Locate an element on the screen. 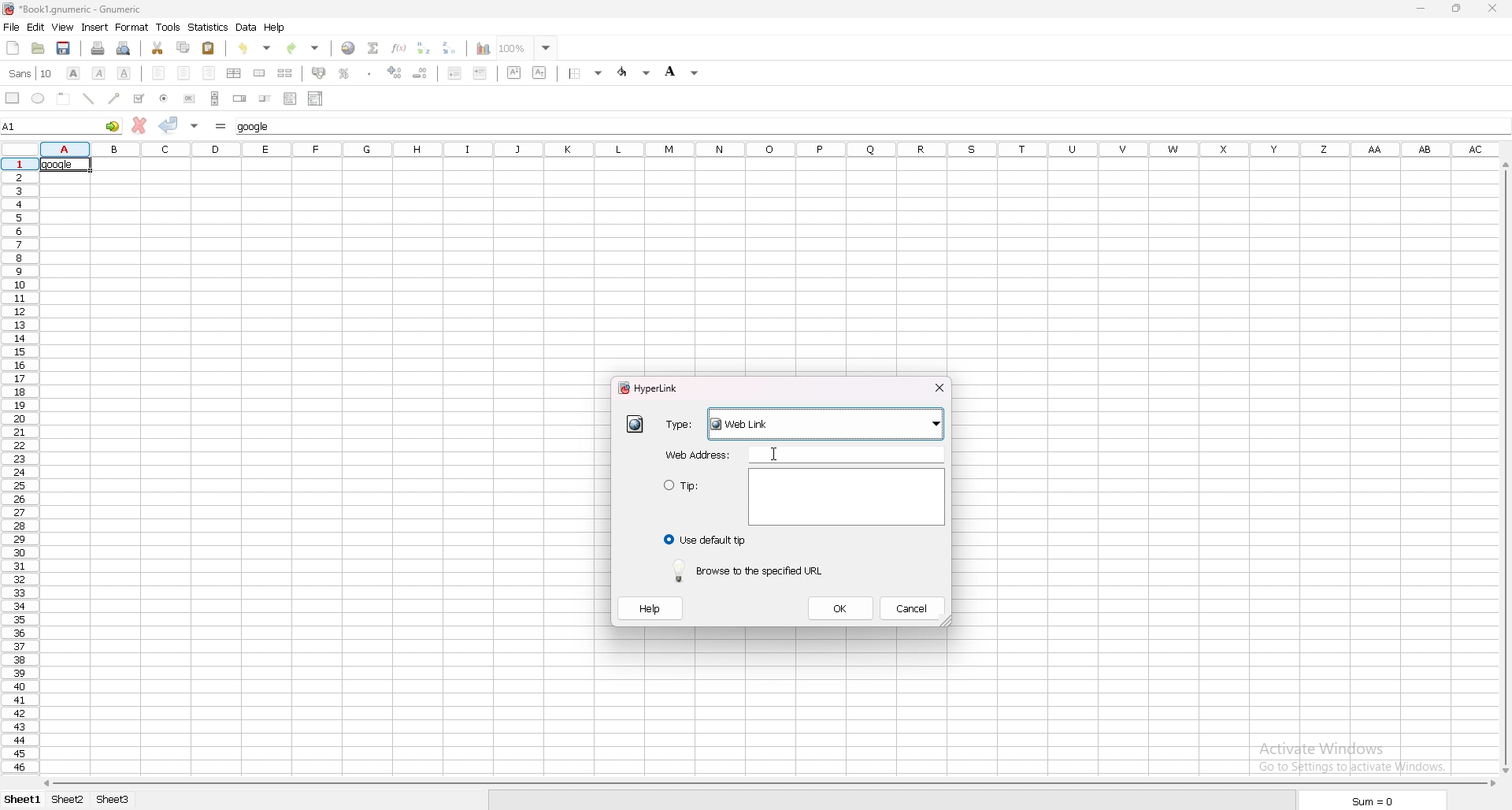 The height and width of the screenshot is (810, 1512). view is located at coordinates (63, 27).